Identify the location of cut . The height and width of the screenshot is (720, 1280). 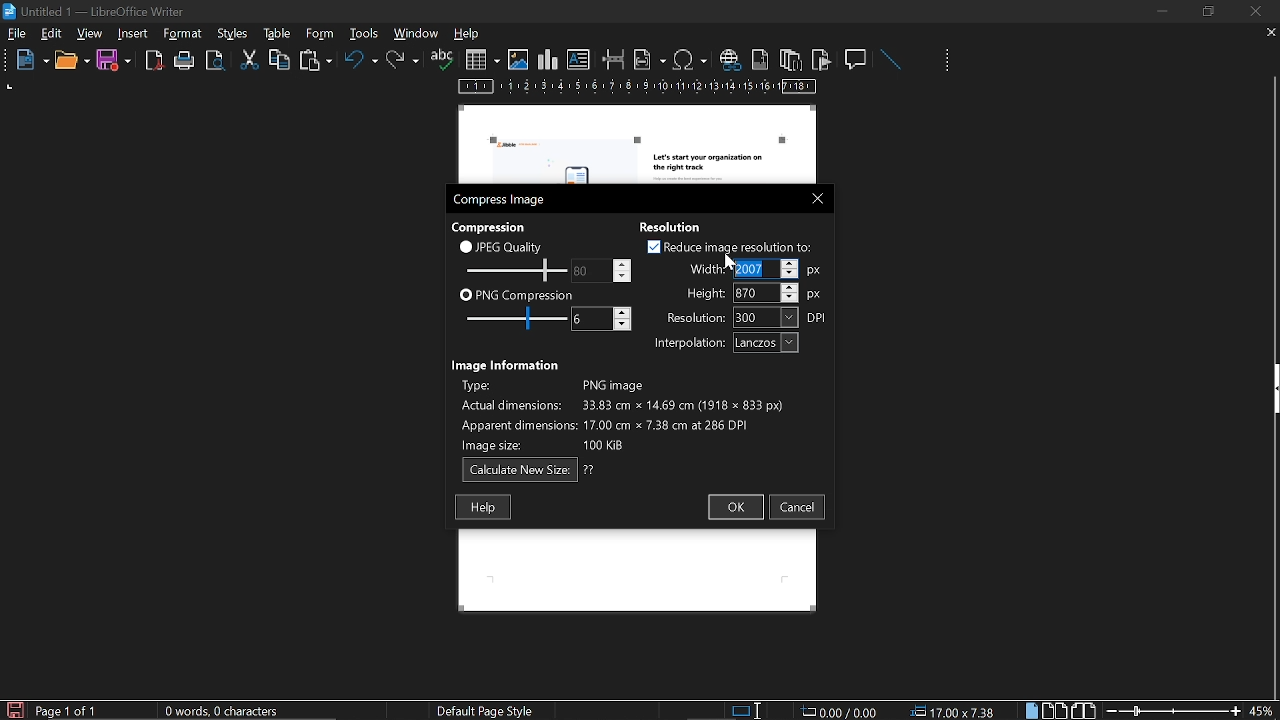
(250, 60).